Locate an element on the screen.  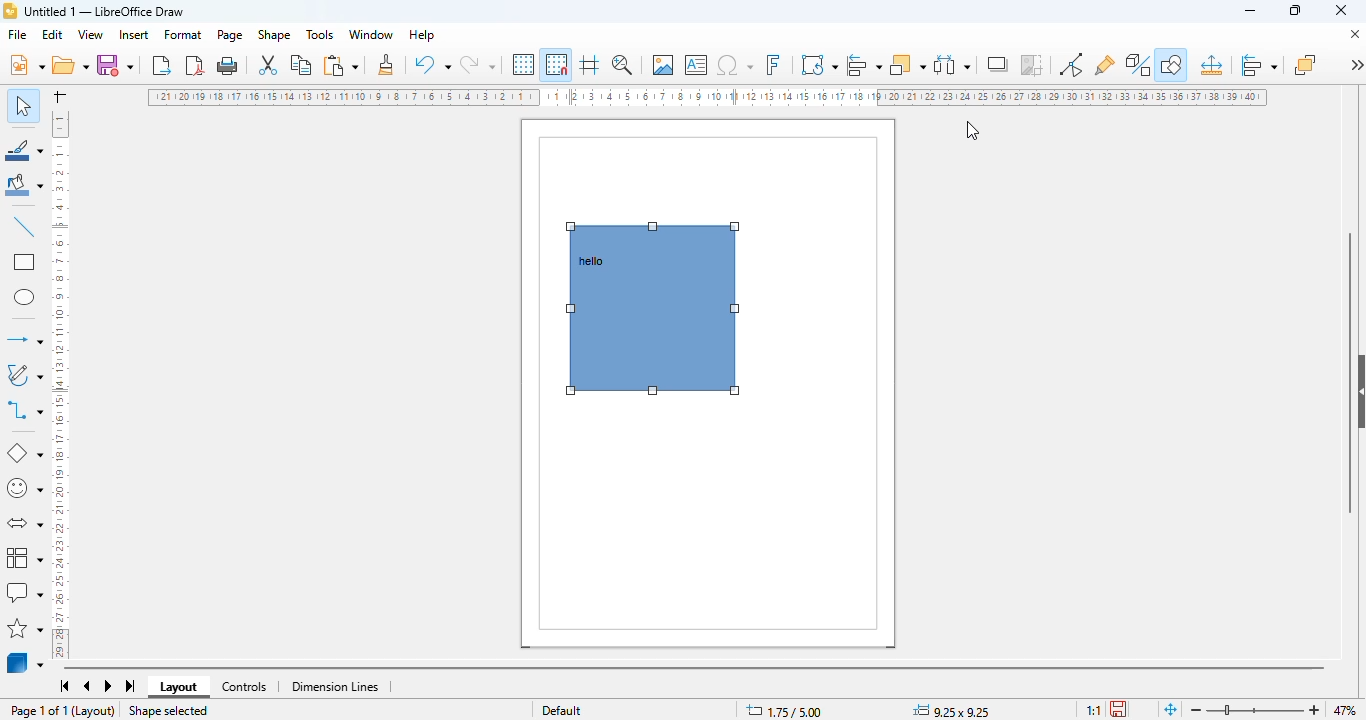
view is located at coordinates (92, 35).